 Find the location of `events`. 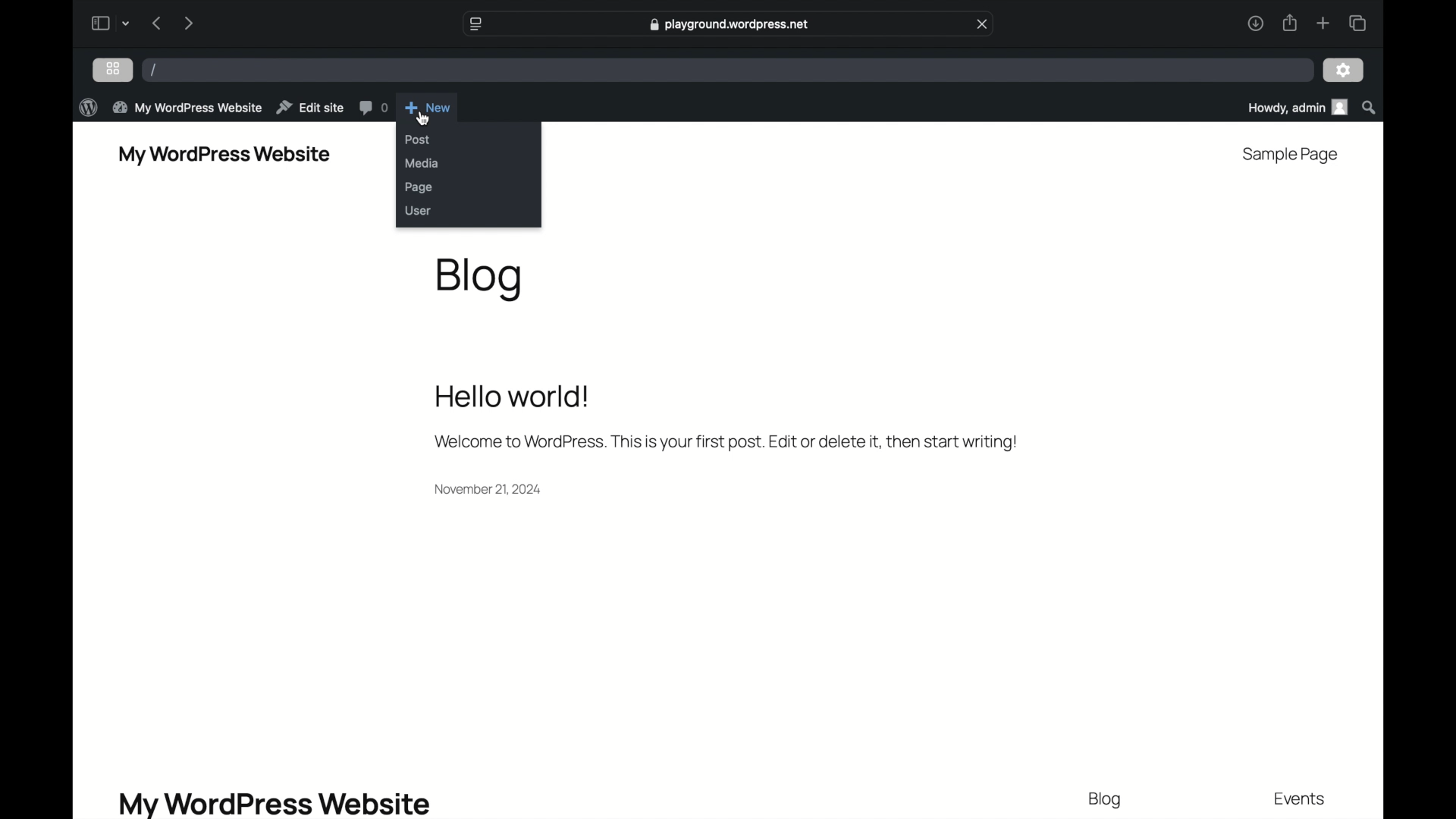

events is located at coordinates (1301, 800).